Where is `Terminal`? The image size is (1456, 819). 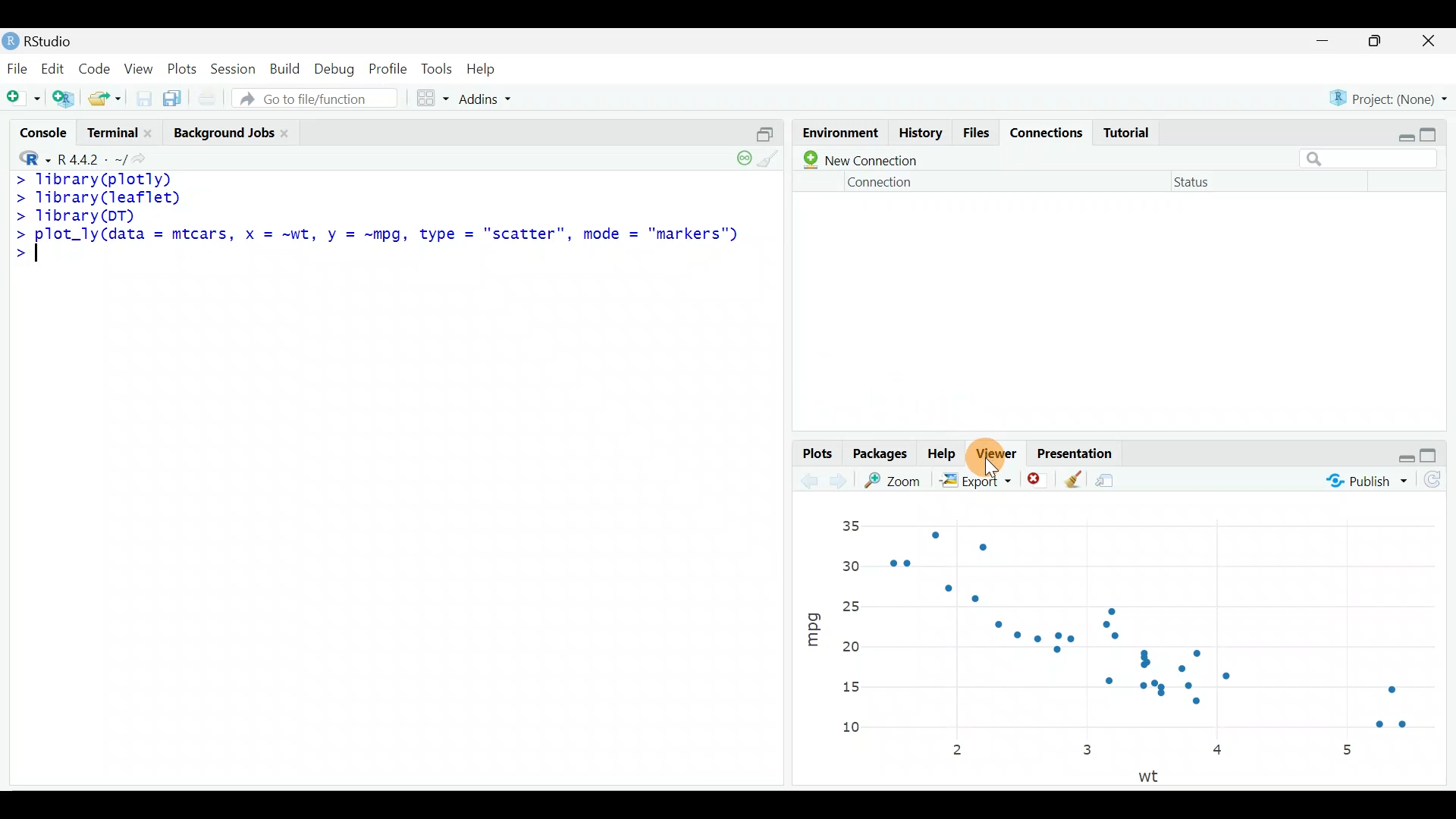
Terminal is located at coordinates (112, 133).